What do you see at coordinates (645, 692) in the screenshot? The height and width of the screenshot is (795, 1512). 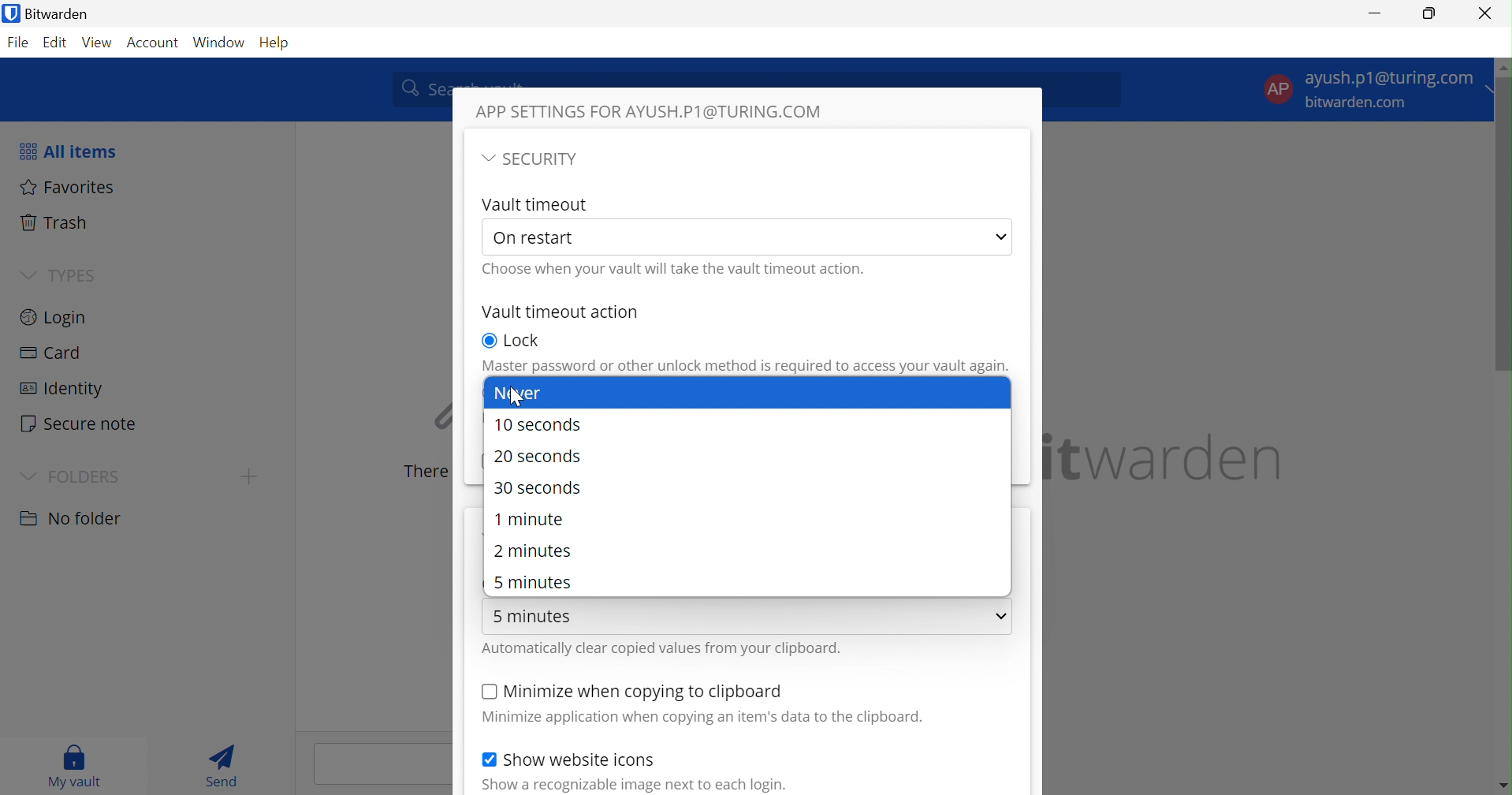 I see `Minimize when copying to clipboard` at bounding box center [645, 692].